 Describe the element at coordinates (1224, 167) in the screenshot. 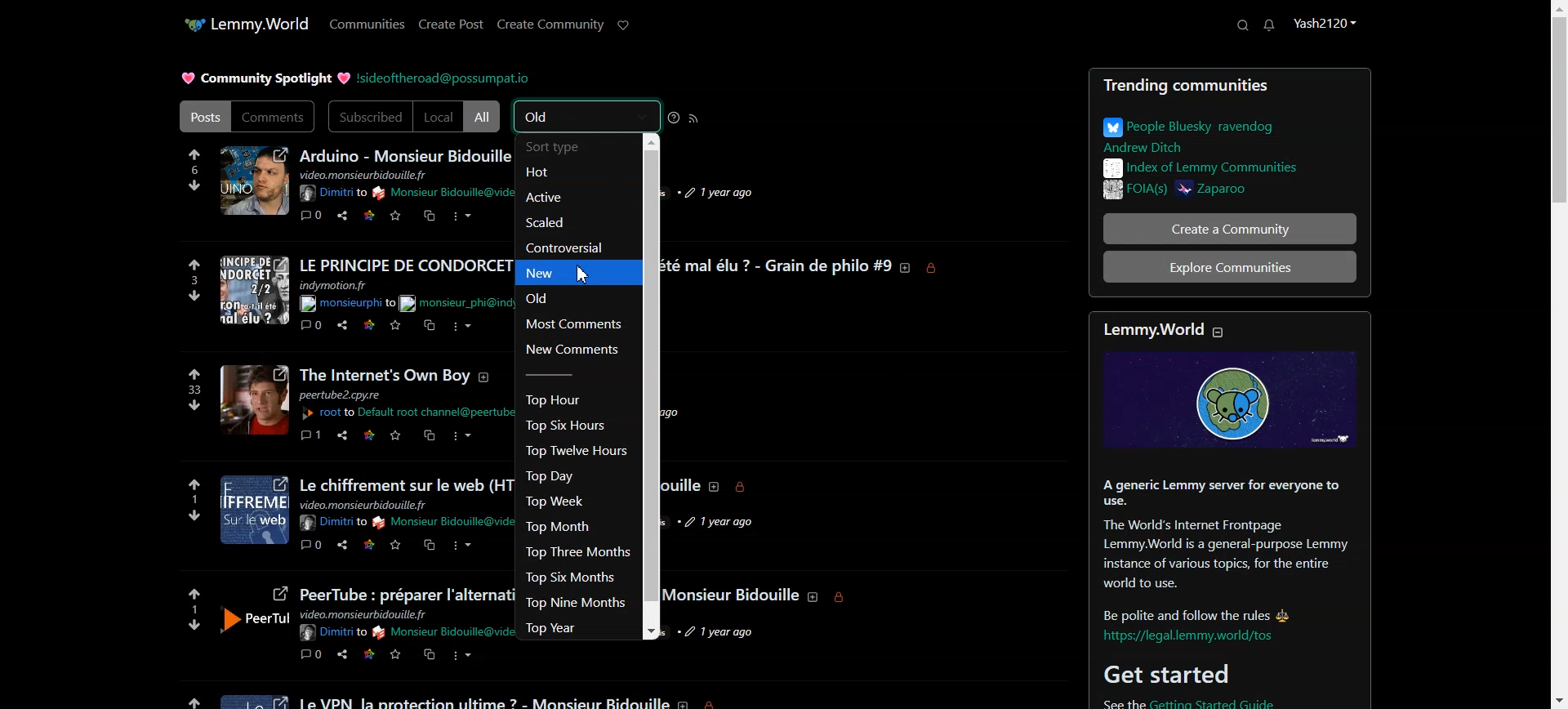

I see `Text` at that location.